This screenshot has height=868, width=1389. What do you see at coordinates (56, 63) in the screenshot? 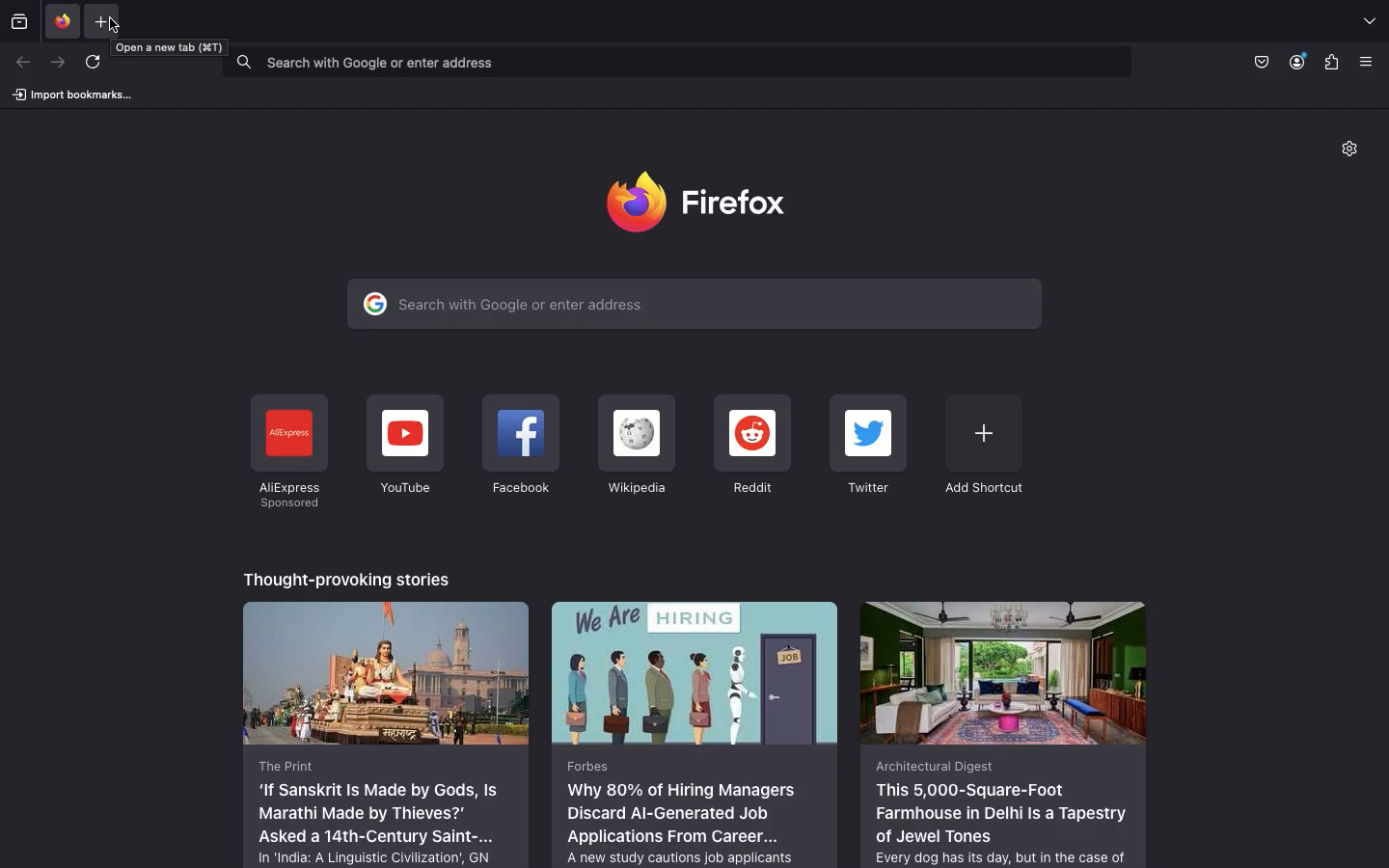
I see `Next page` at bounding box center [56, 63].